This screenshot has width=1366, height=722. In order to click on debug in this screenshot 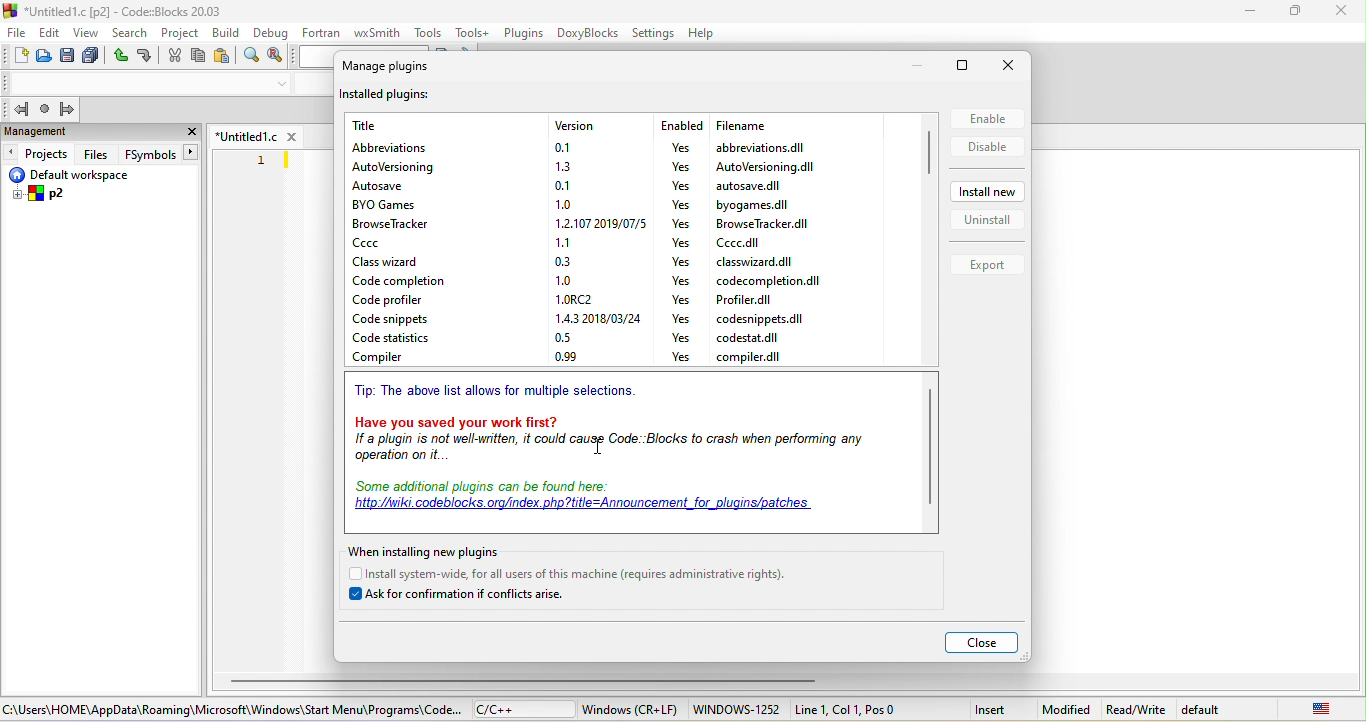, I will do `click(272, 32)`.